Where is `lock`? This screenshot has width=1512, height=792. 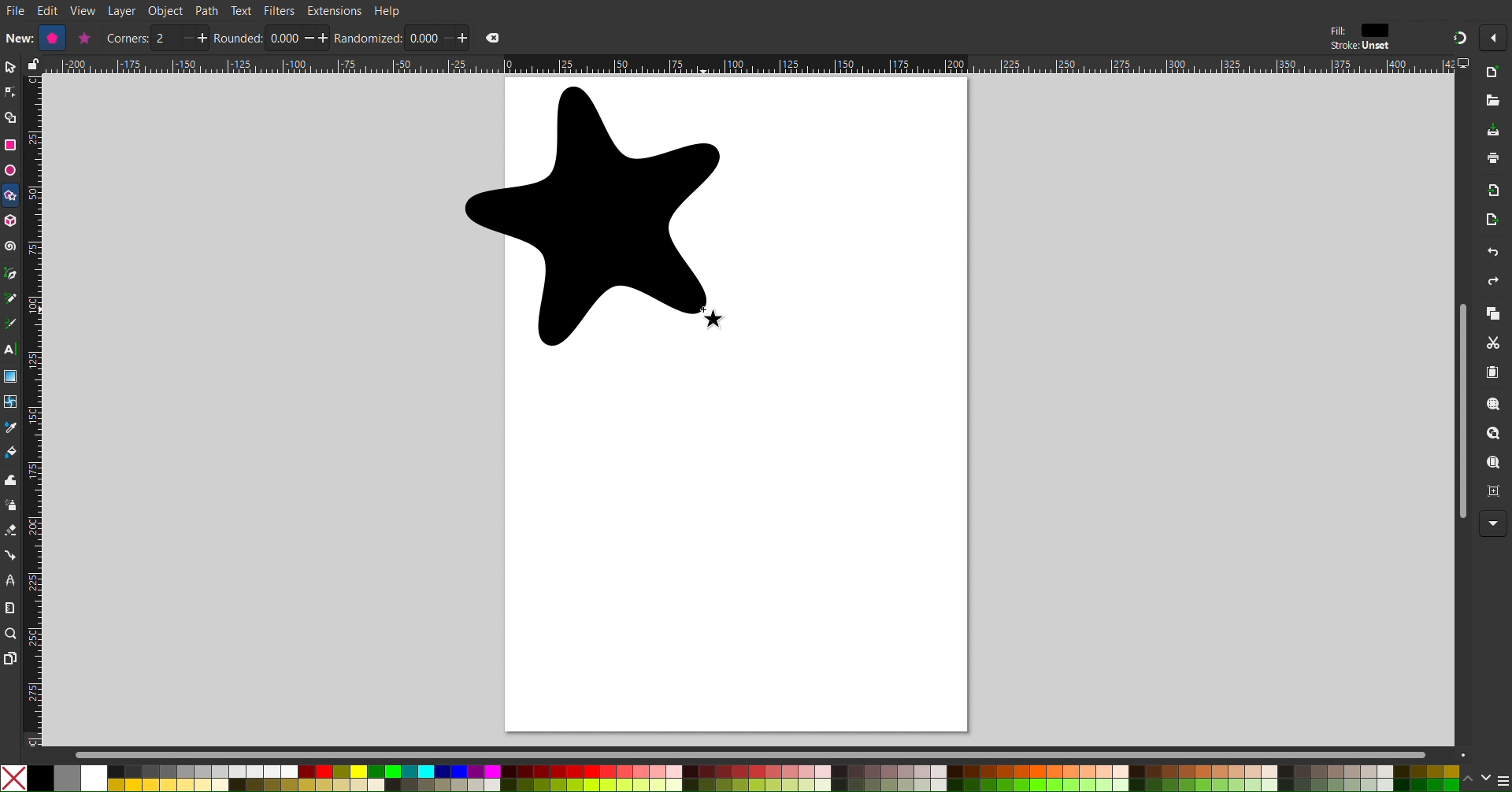 lock is located at coordinates (31, 64).